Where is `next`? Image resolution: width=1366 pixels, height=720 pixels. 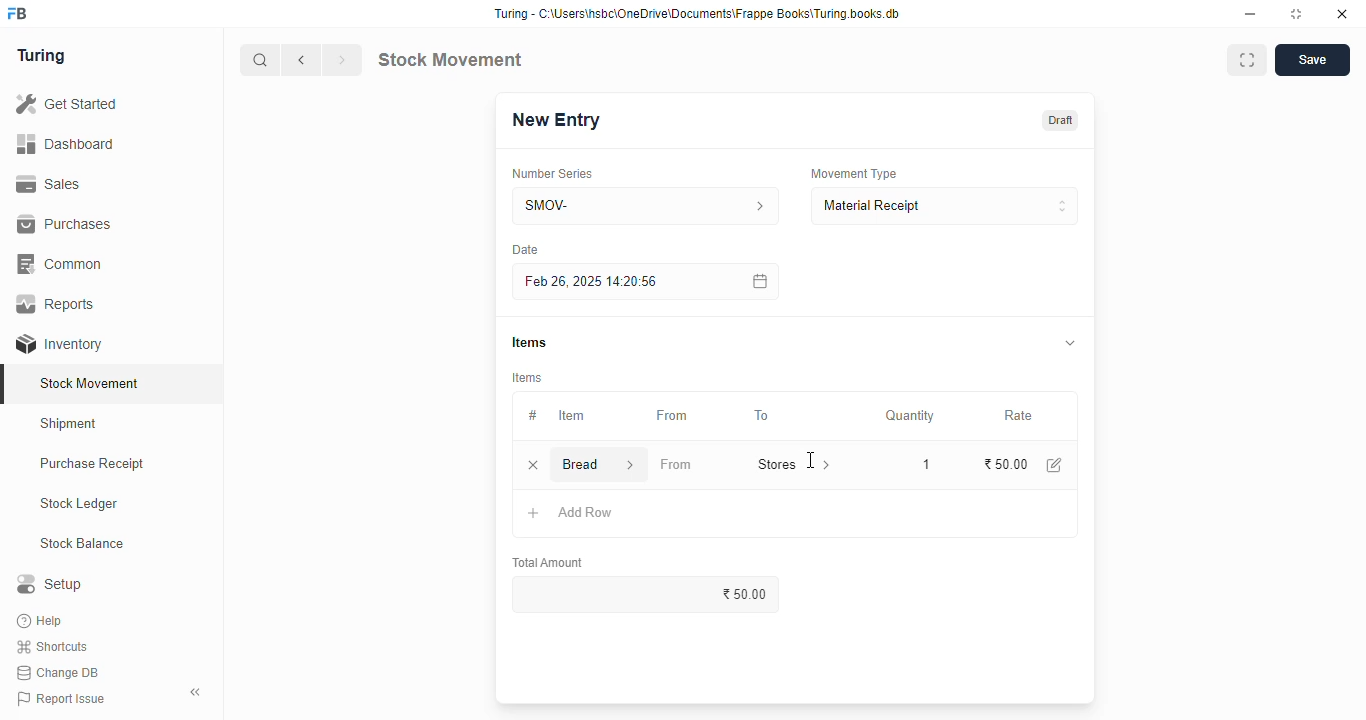
next is located at coordinates (342, 60).